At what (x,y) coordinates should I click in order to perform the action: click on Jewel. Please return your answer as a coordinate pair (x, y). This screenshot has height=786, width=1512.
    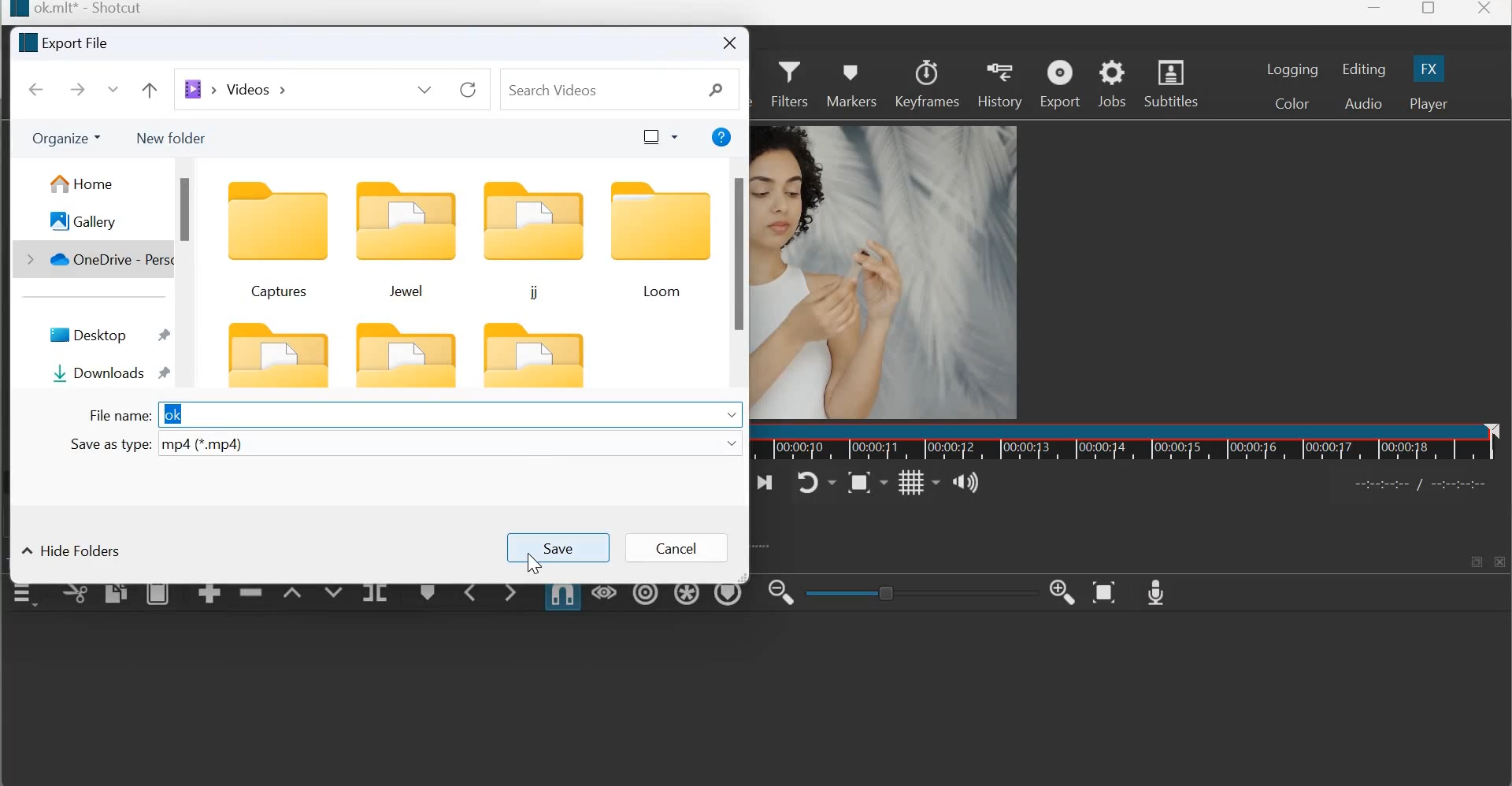
    Looking at the image, I should click on (403, 241).